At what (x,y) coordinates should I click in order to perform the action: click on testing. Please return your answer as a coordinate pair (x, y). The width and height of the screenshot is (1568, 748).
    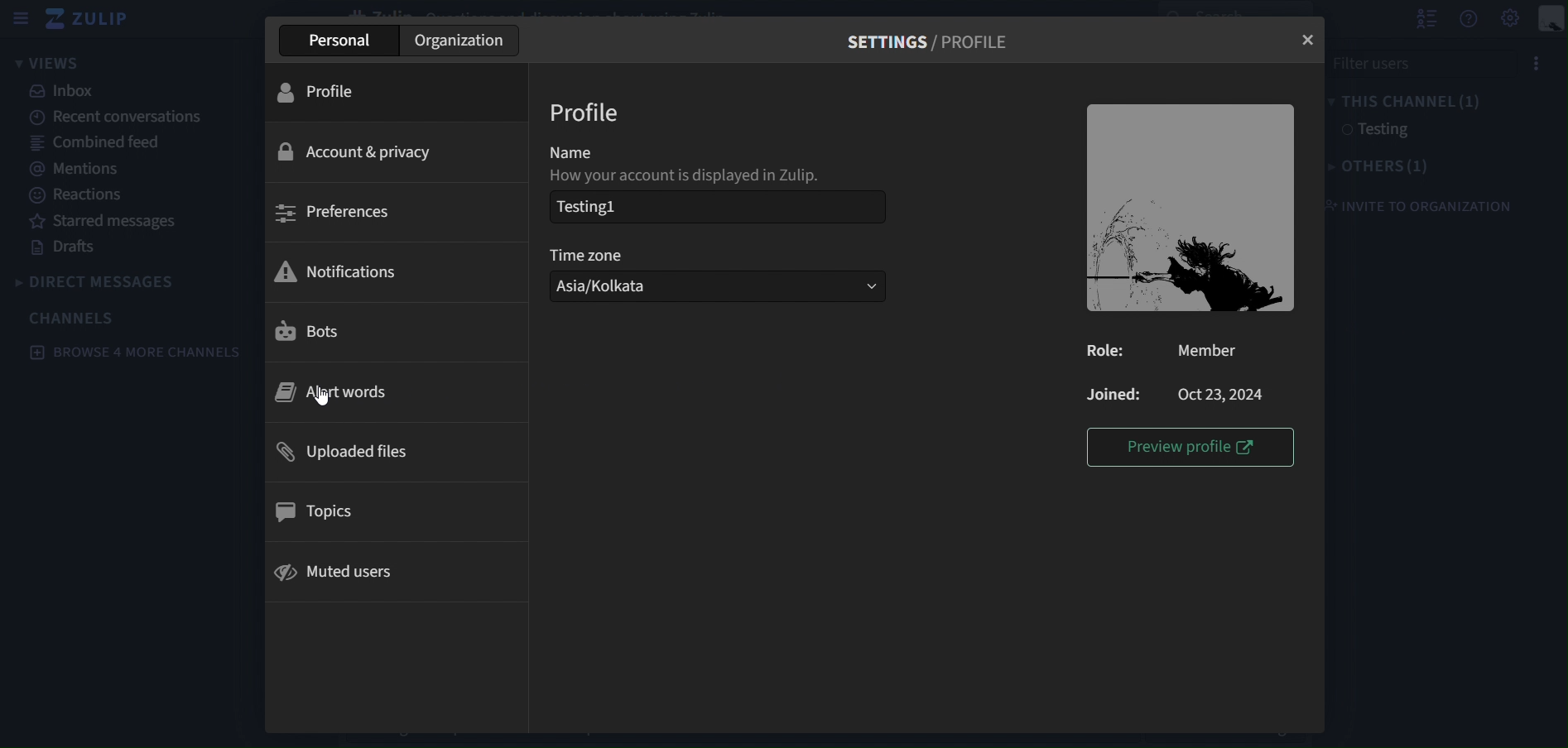
    Looking at the image, I should click on (1375, 132).